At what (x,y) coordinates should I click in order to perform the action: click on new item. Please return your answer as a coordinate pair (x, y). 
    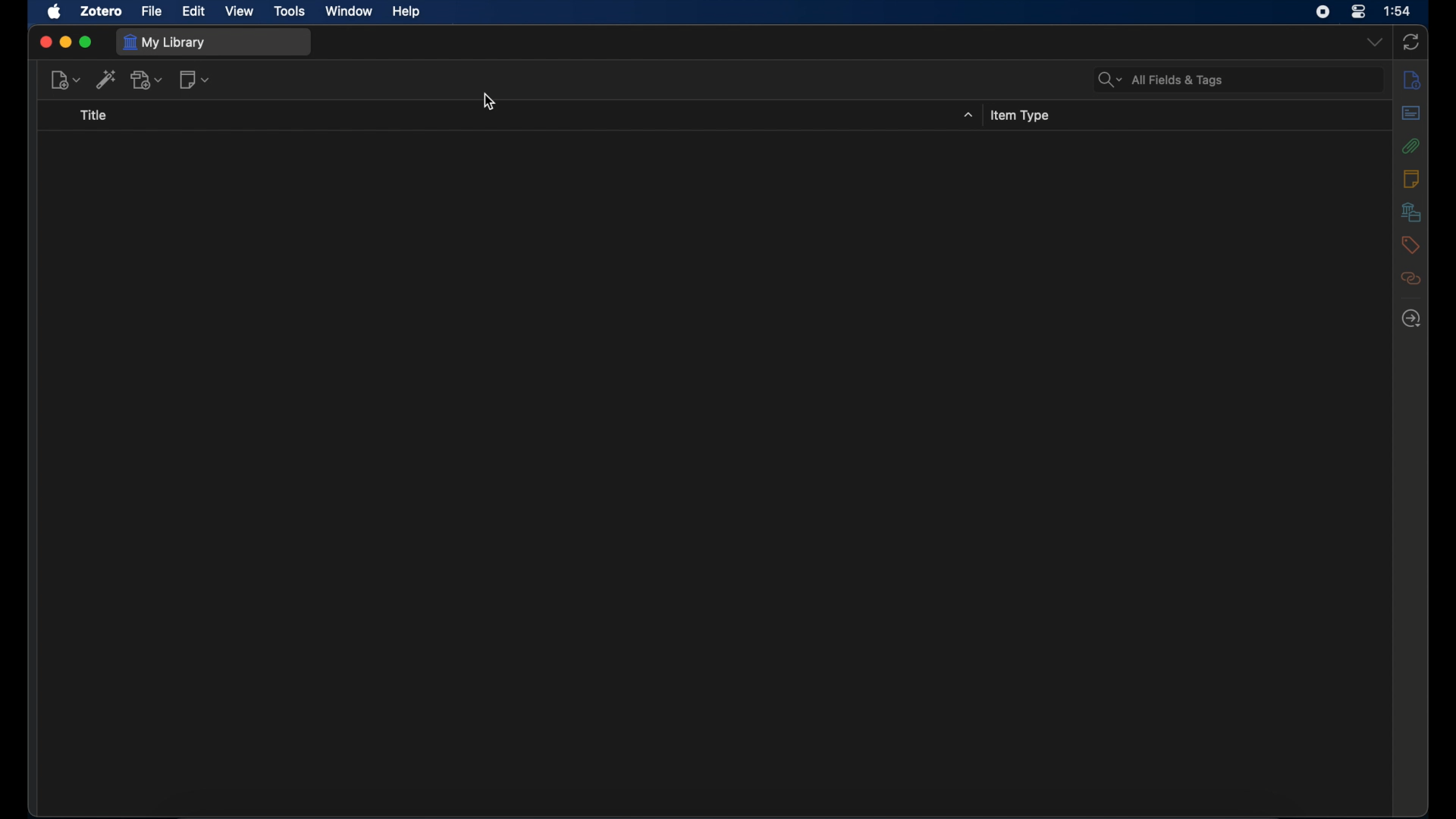
    Looking at the image, I should click on (146, 79).